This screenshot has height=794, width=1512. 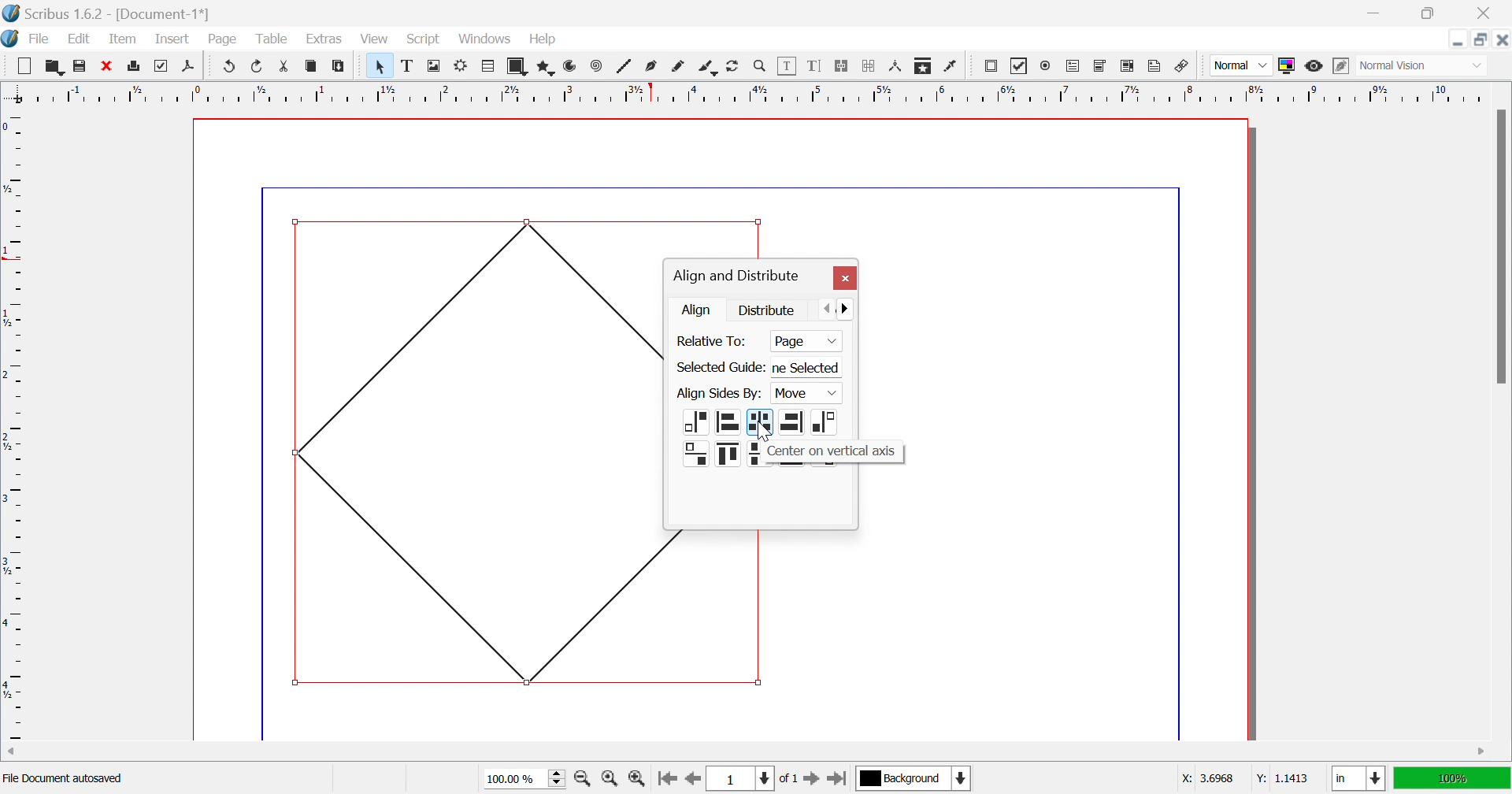 What do you see at coordinates (9, 39) in the screenshot?
I see `Scribus icon` at bounding box center [9, 39].